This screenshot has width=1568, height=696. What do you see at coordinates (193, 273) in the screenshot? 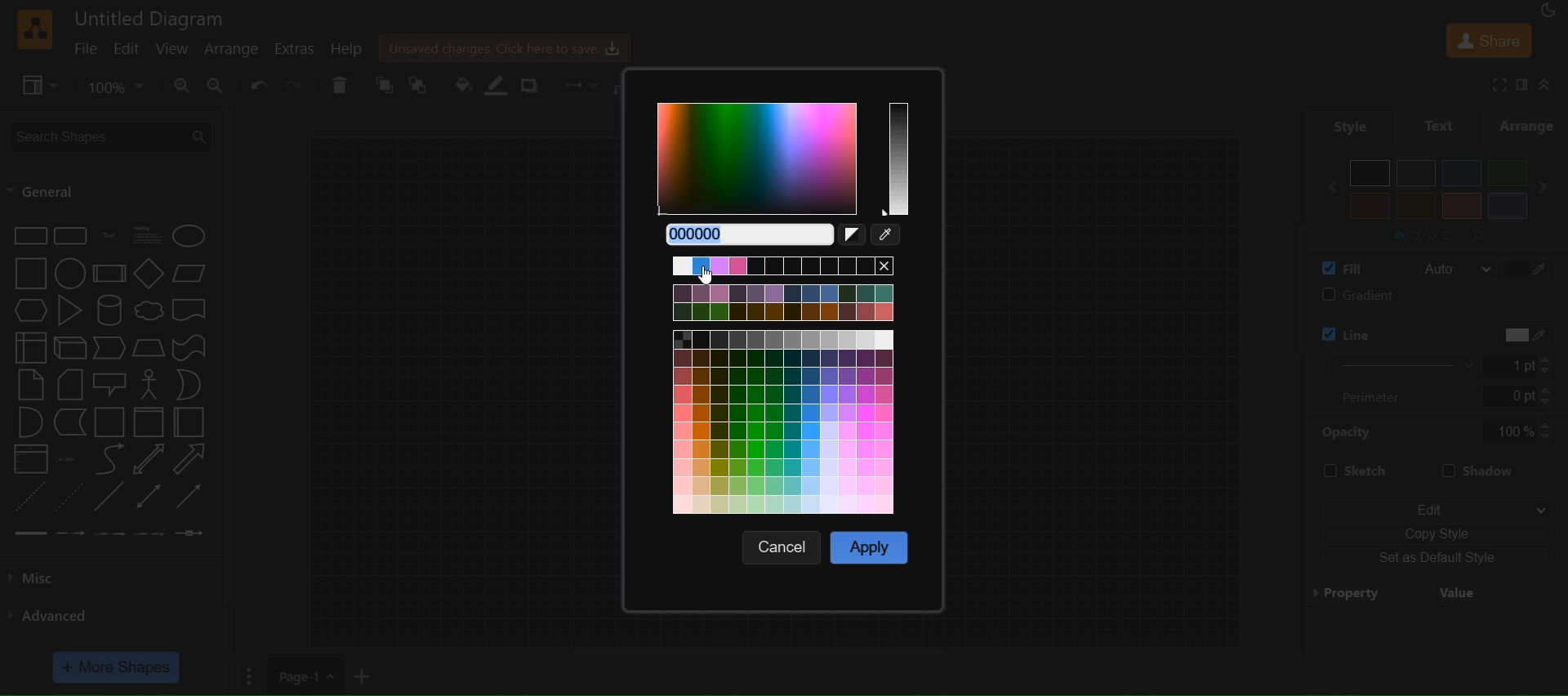
I see `parallelogram` at bounding box center [193, 273].